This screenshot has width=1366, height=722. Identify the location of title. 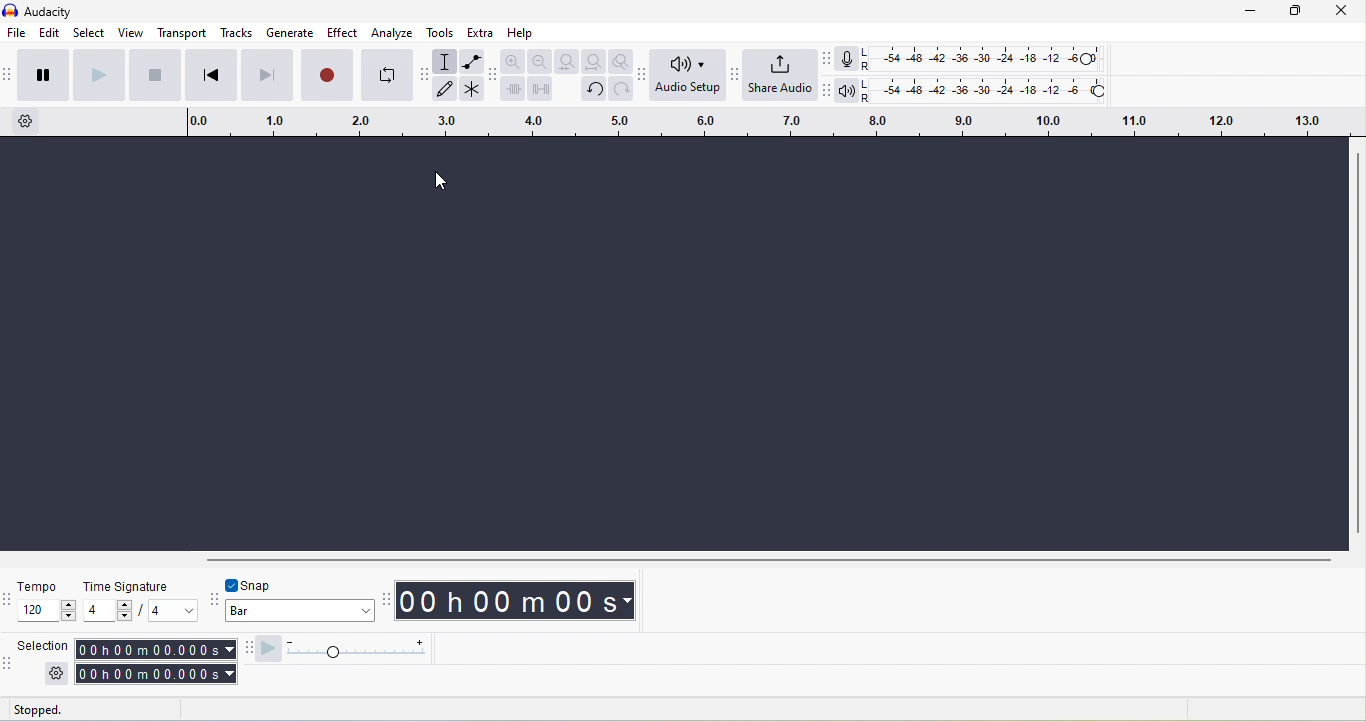
(57, 11).